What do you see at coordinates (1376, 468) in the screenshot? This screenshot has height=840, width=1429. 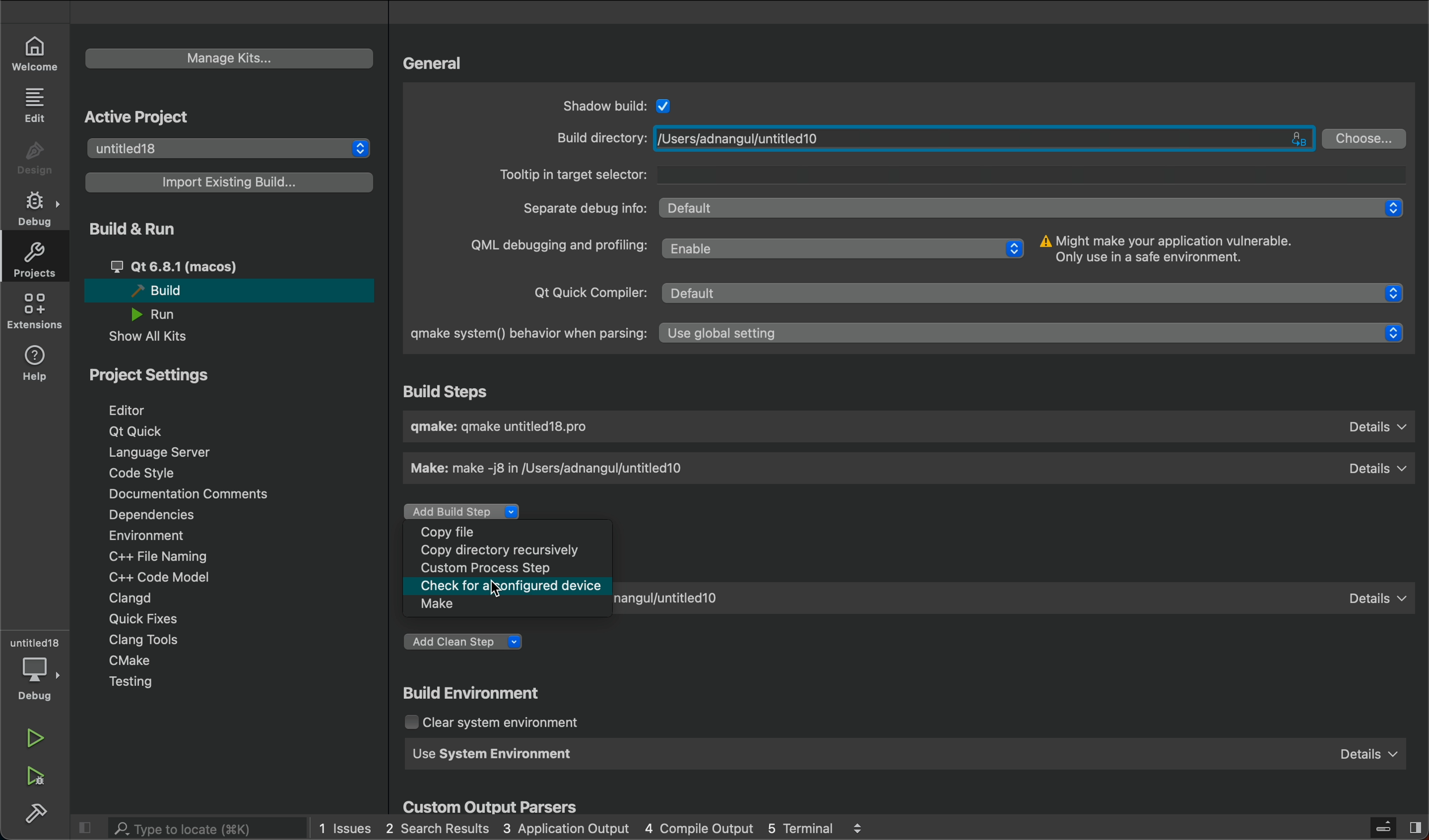 I see `Details` at bounding box center [1376, 468].